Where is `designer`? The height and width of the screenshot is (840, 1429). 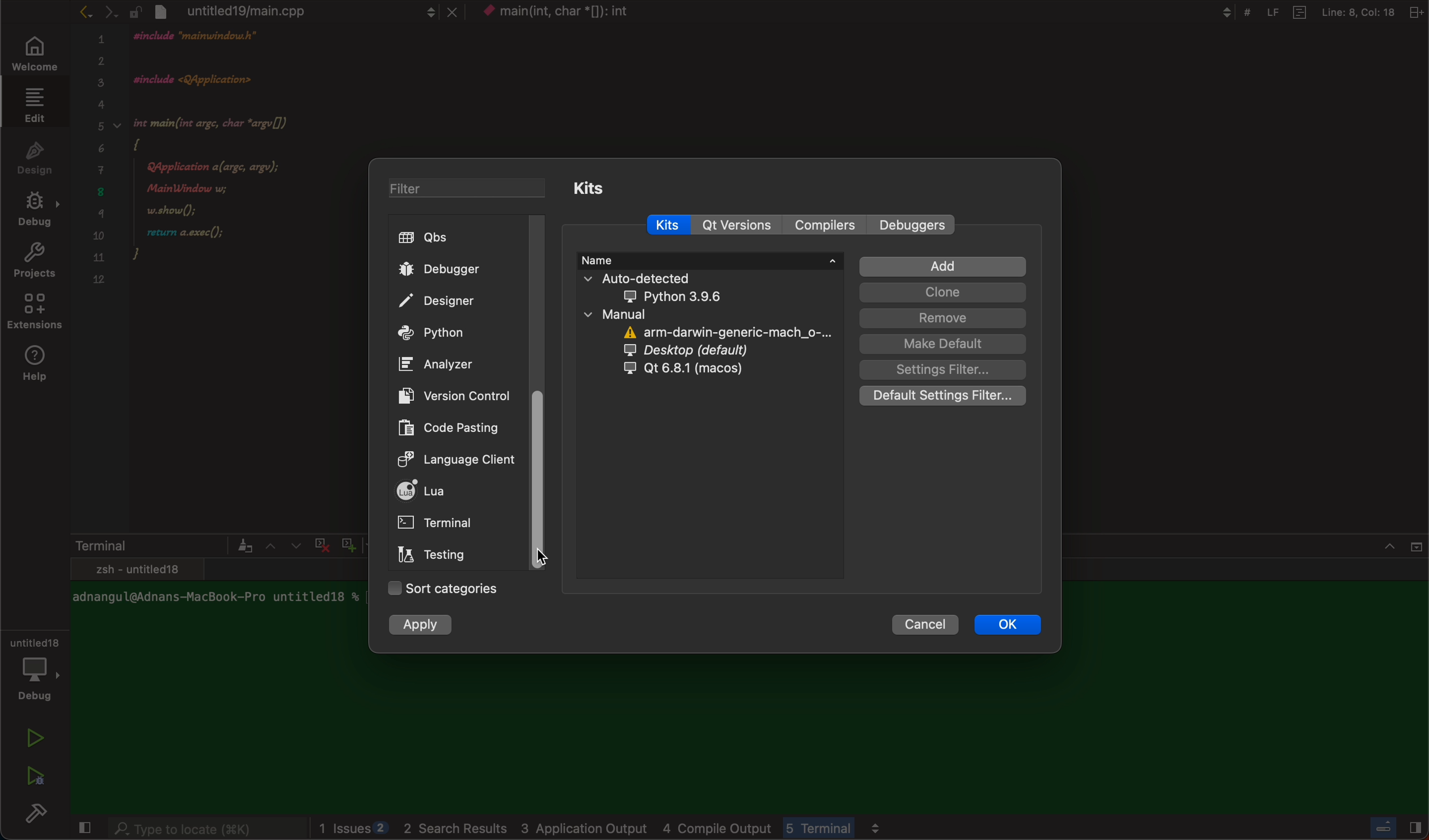 designer is located at coordinates (456, 302).